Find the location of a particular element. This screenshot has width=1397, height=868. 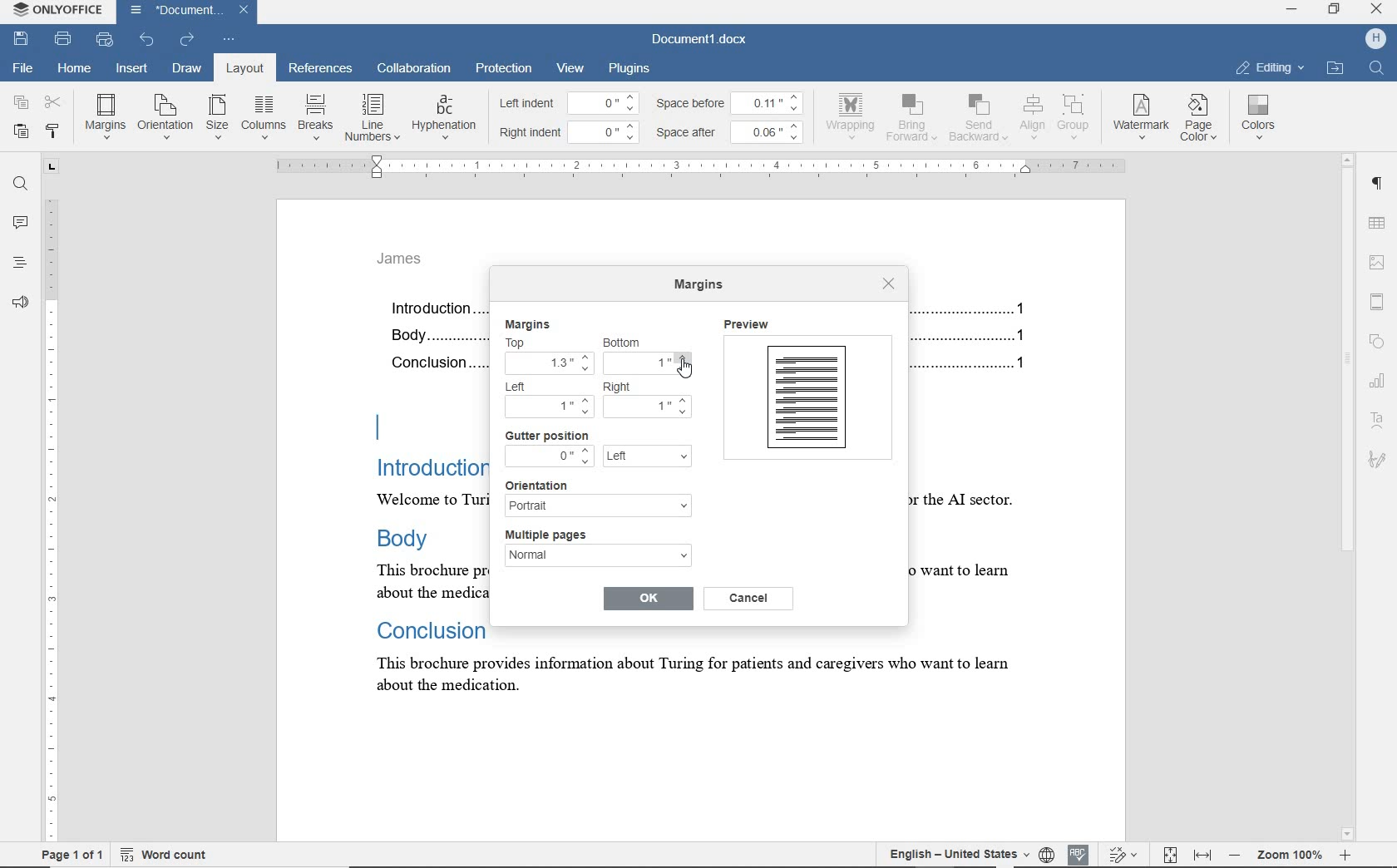

columns is located at coordinates (263, 117).